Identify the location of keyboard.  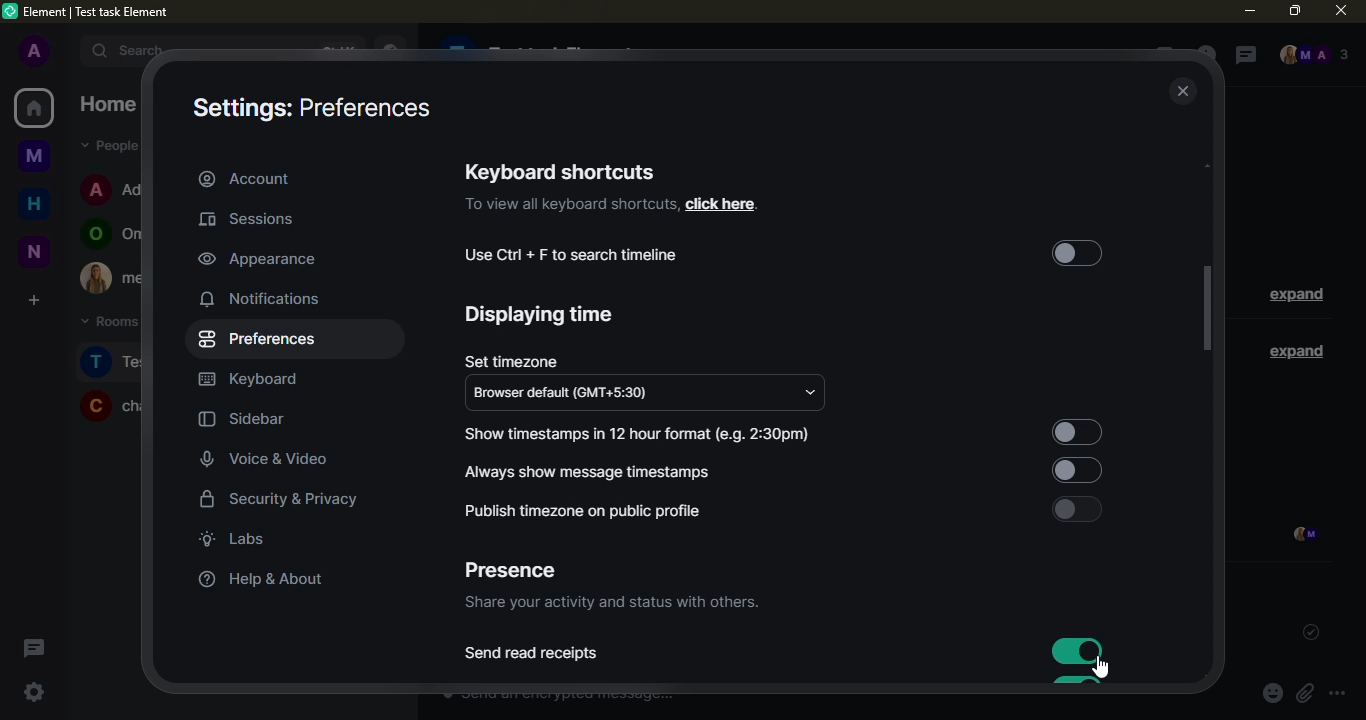
(250, 380).